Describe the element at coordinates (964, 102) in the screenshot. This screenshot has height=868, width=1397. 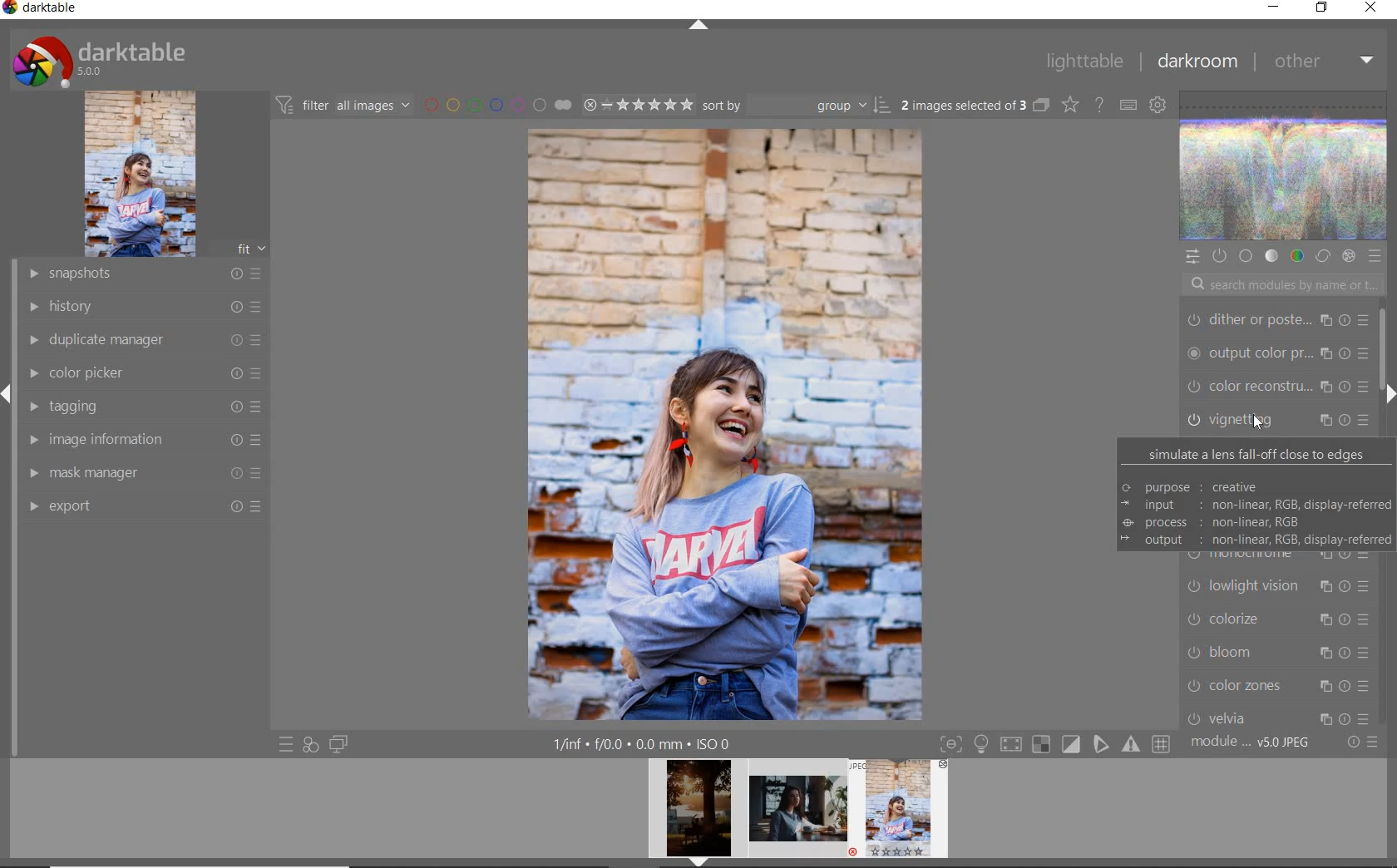
I see `SELECTED IMAGES` at that location.